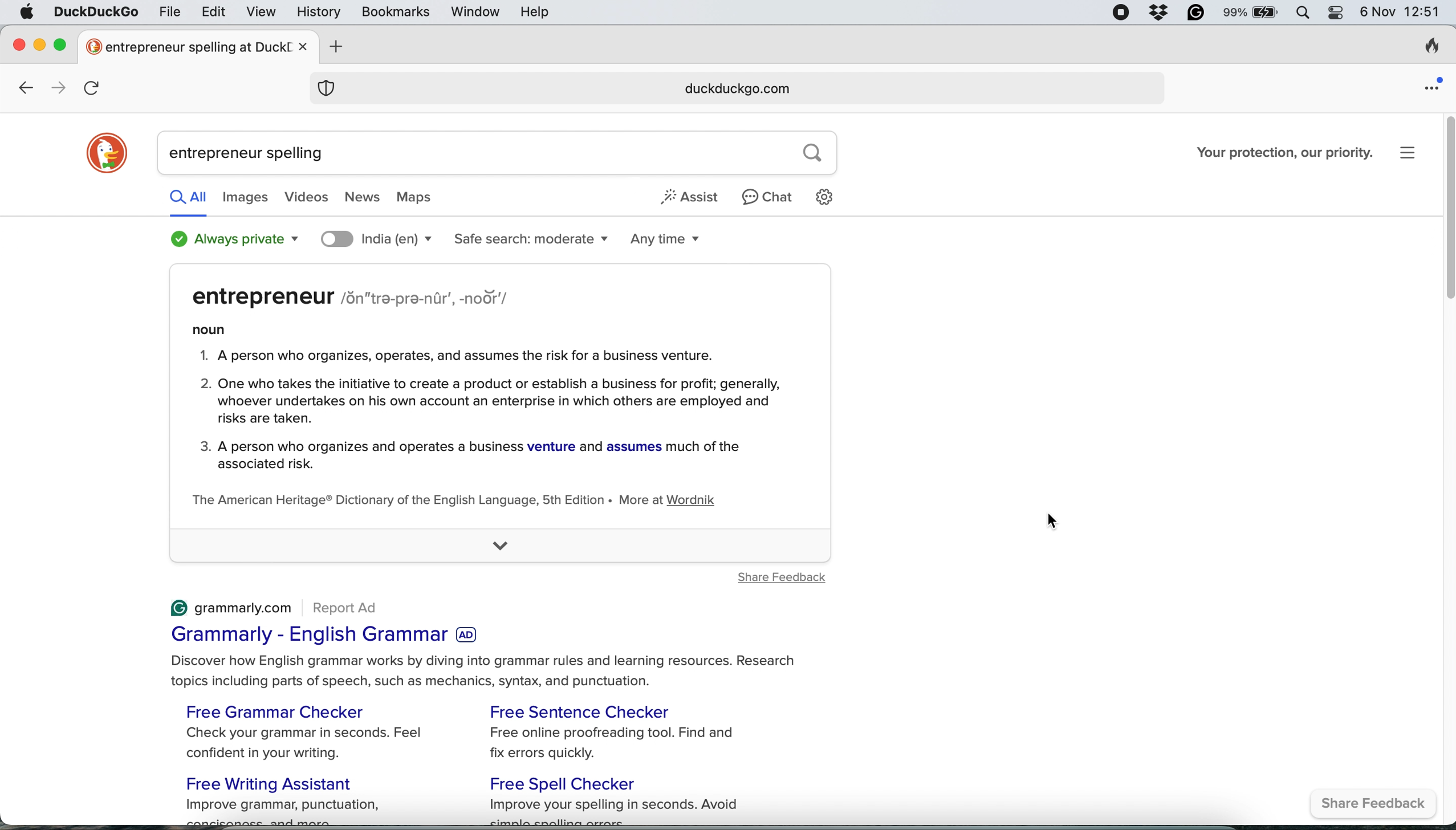  I want to click on settings, so click(1408, 154).